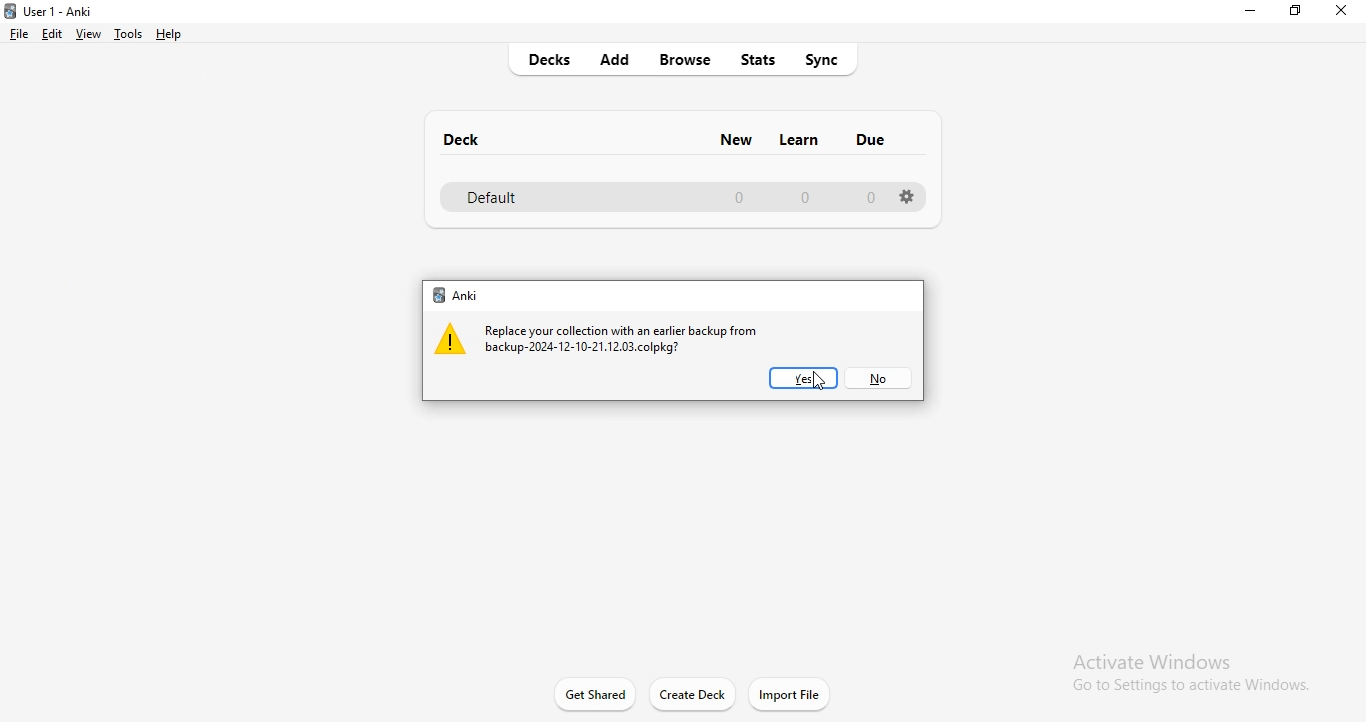 Image resolution: width=1366 pixels, height=722 pixels. I want to click on new, so click(735, 137).